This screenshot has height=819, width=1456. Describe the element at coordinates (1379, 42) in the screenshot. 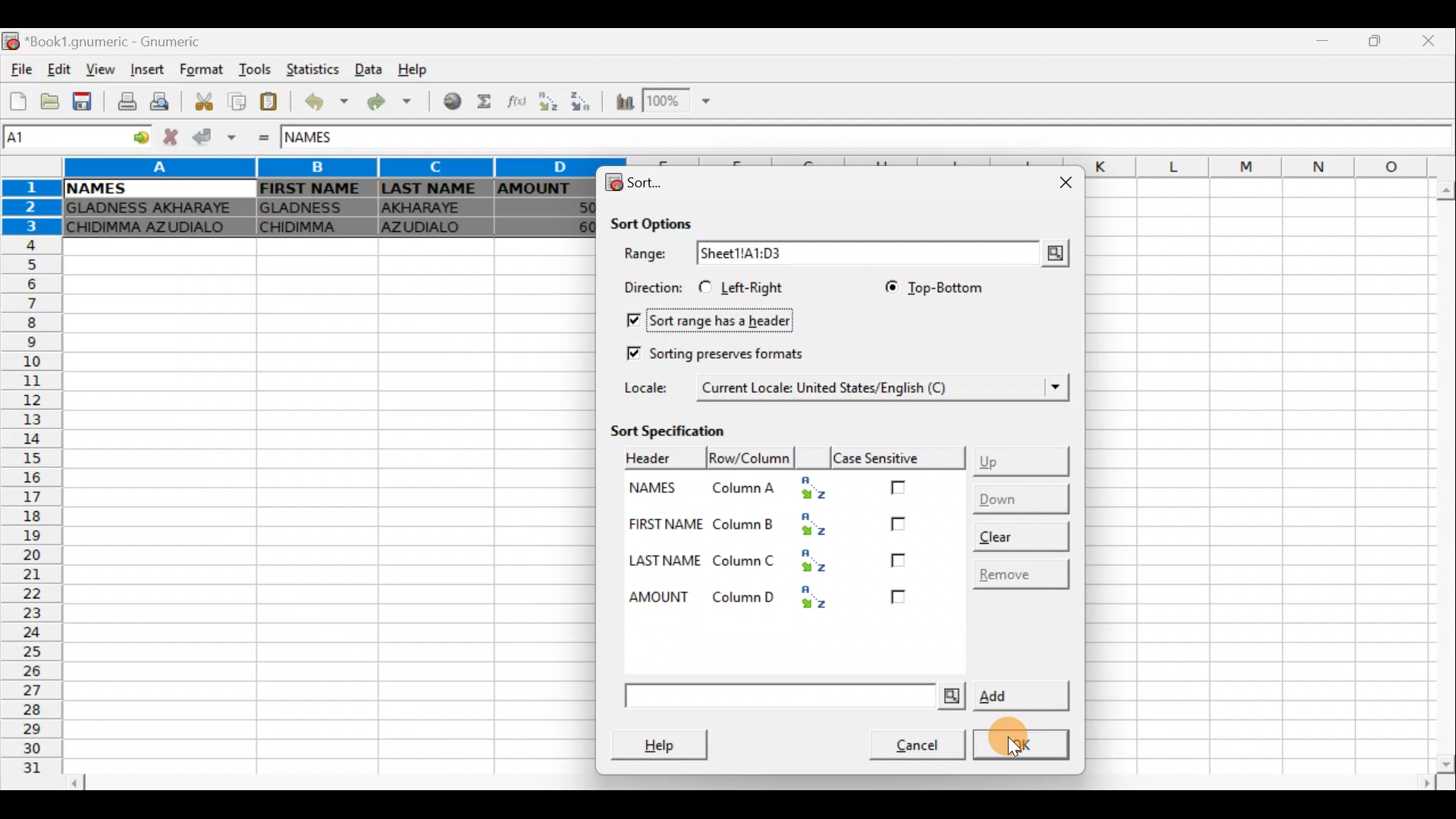

I see `Maximize` at that location.